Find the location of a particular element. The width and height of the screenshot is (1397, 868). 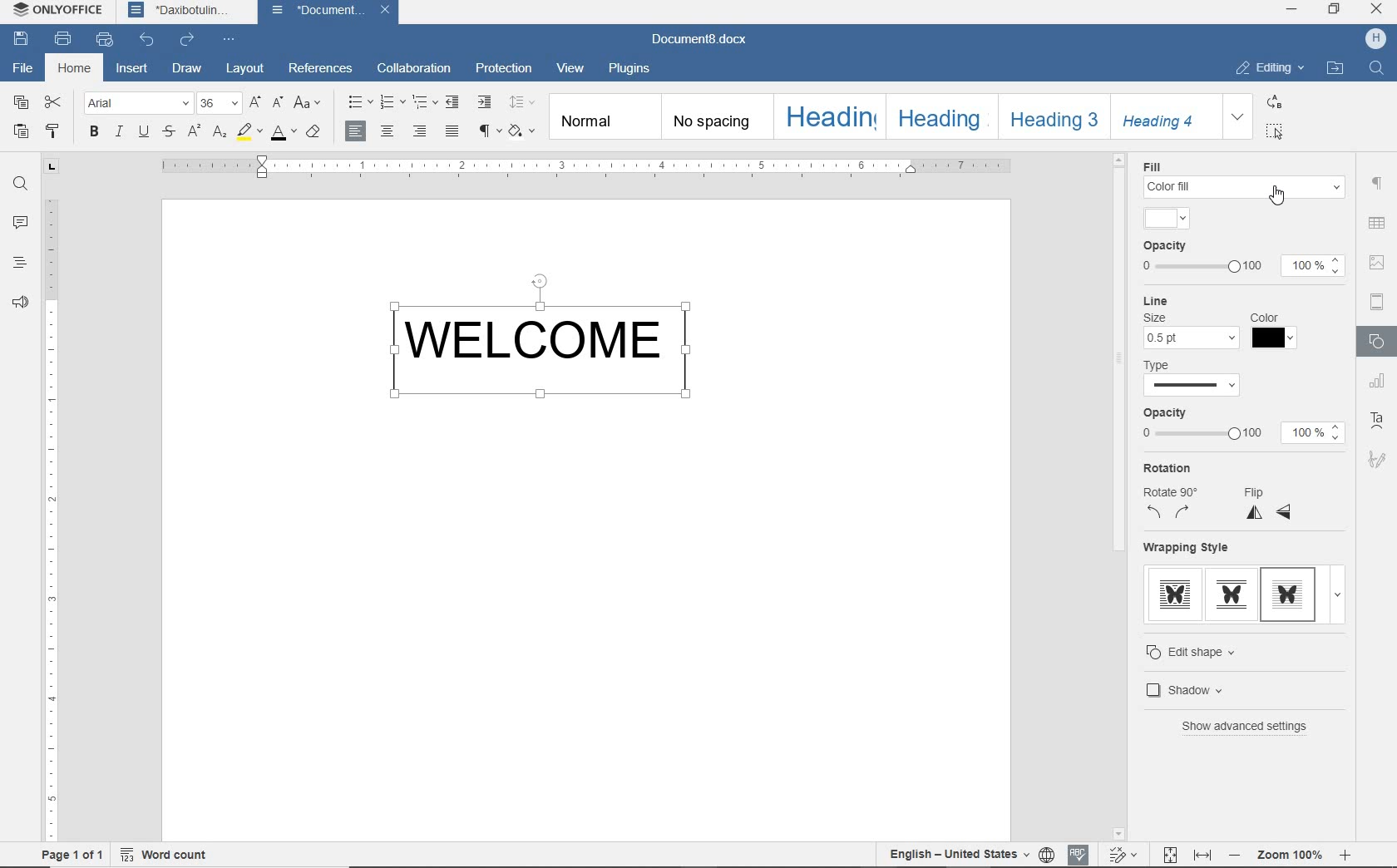

UNDERLINE is located at coordinates (146, 131).